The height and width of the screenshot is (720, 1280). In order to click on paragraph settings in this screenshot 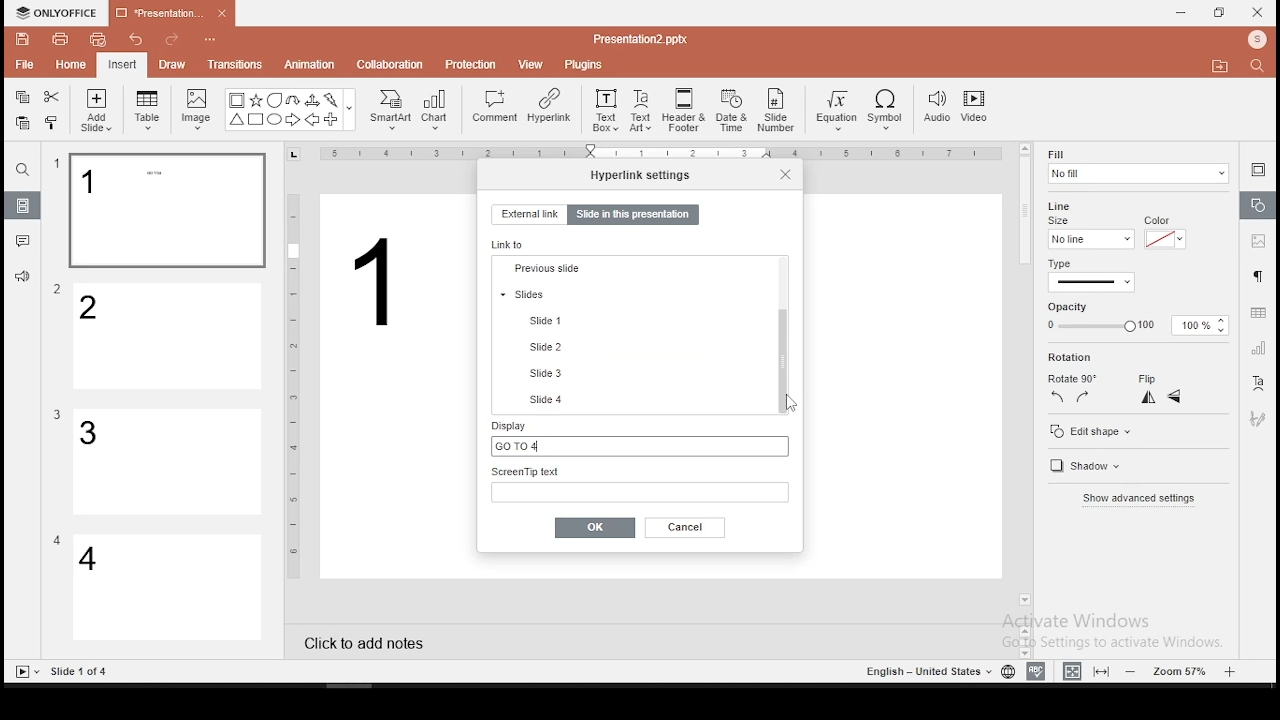, I will do `click(1256, 274)`.